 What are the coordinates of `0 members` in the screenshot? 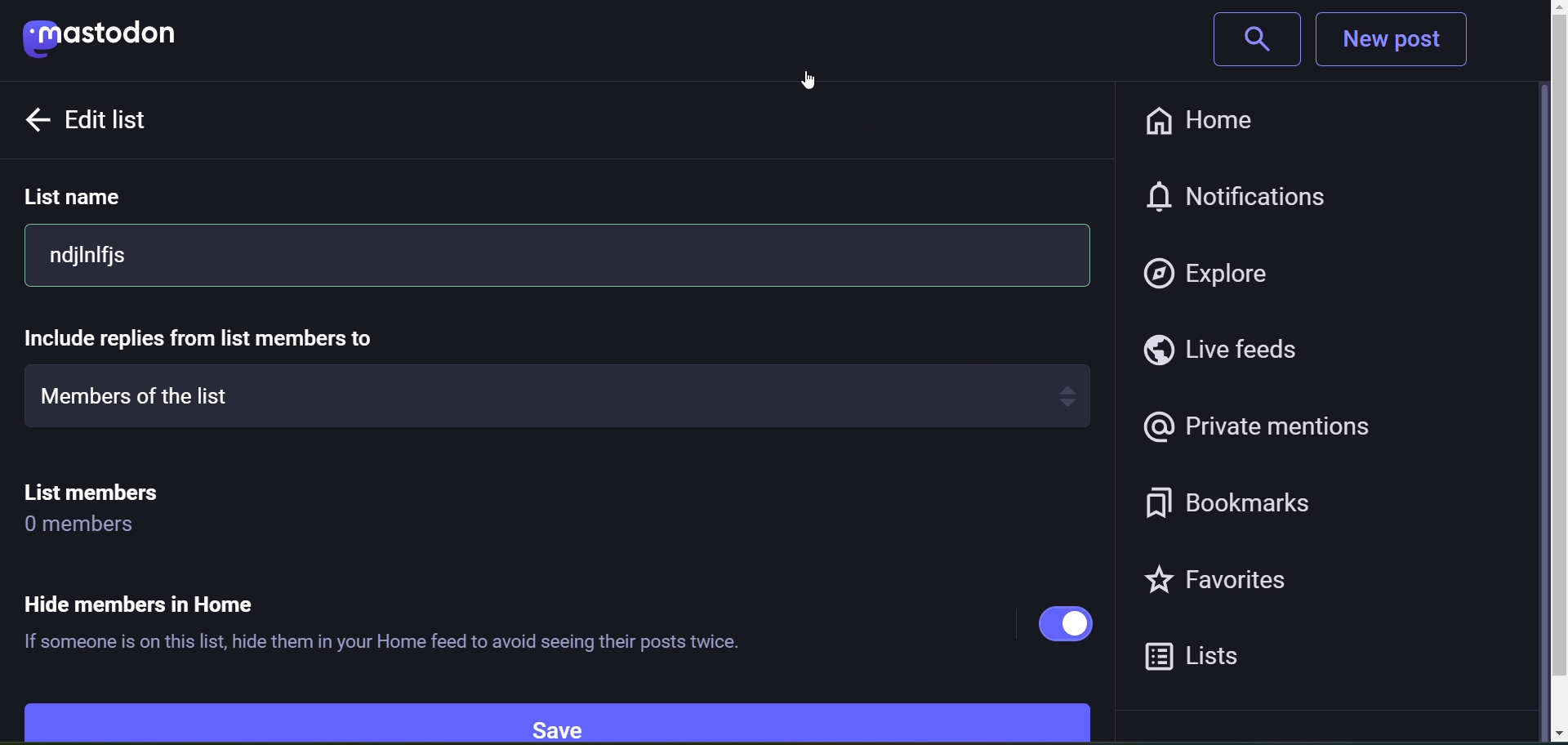 It's located at (90, 529).